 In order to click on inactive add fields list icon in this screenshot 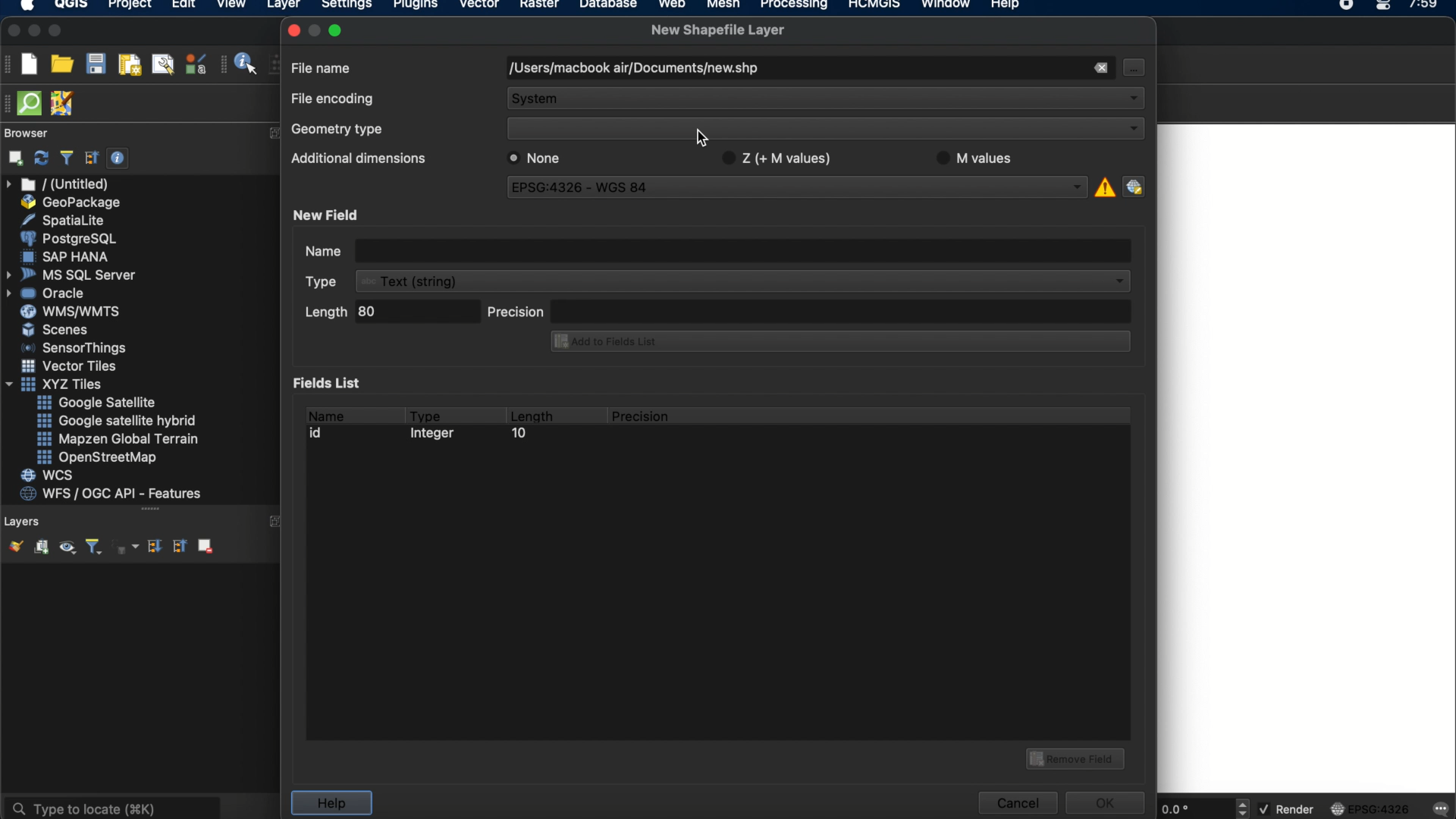, I will do `click(838, 343)`.